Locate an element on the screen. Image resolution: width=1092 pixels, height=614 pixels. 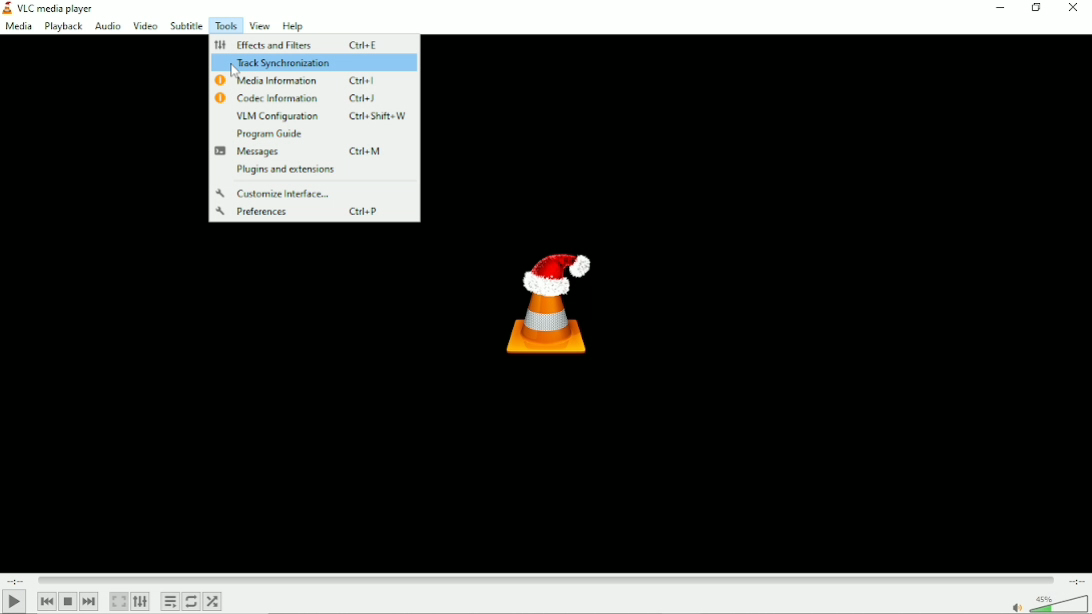
Previous is located at coordinates (47, 602).